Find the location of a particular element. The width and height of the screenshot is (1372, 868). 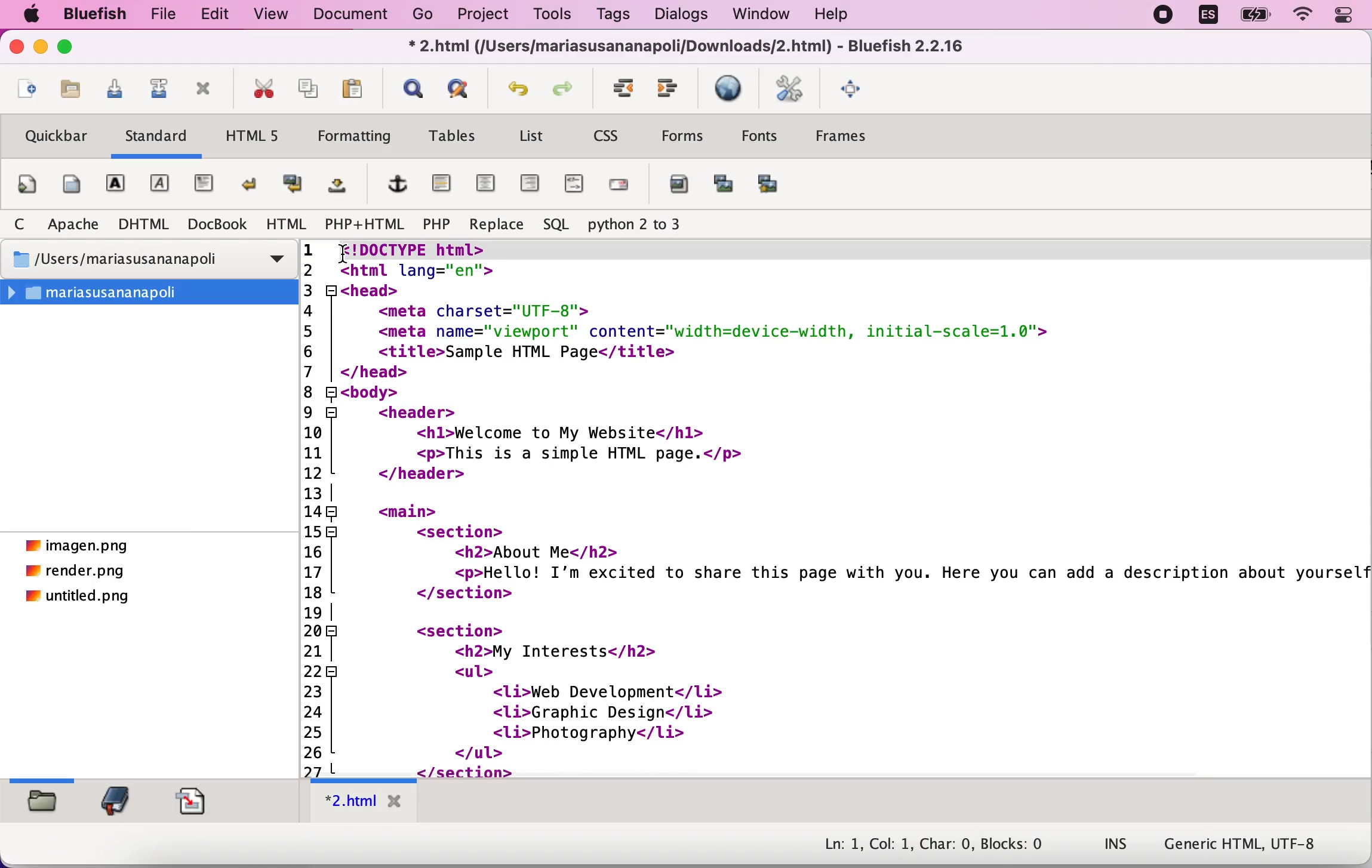

open file is located at coordinates (72, 90).